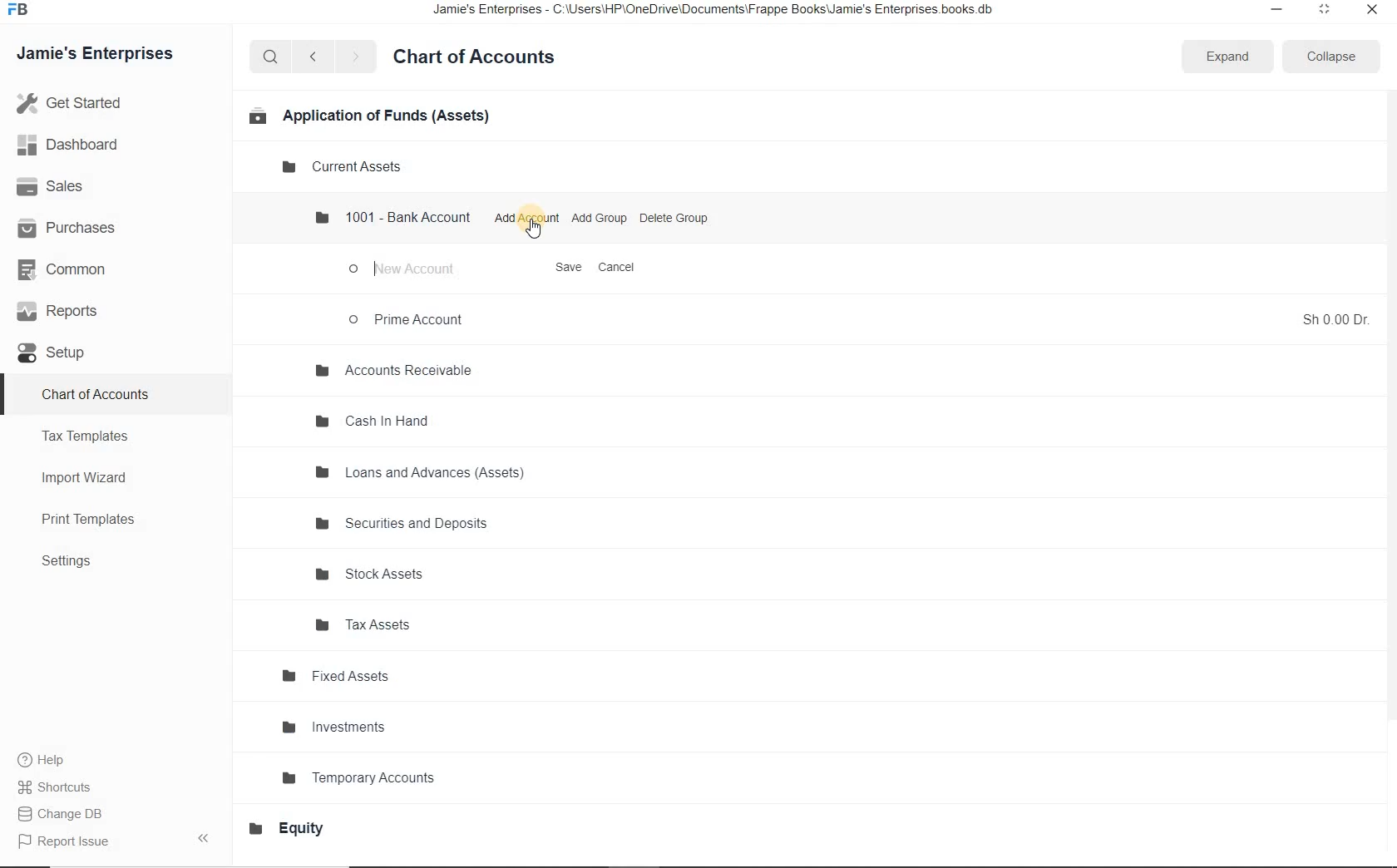 This screenshot has width=1397, height=868. Describe the element at coordinates (368, 115) in the screenshot. I see `Application of Funds (Assets)` at that location.